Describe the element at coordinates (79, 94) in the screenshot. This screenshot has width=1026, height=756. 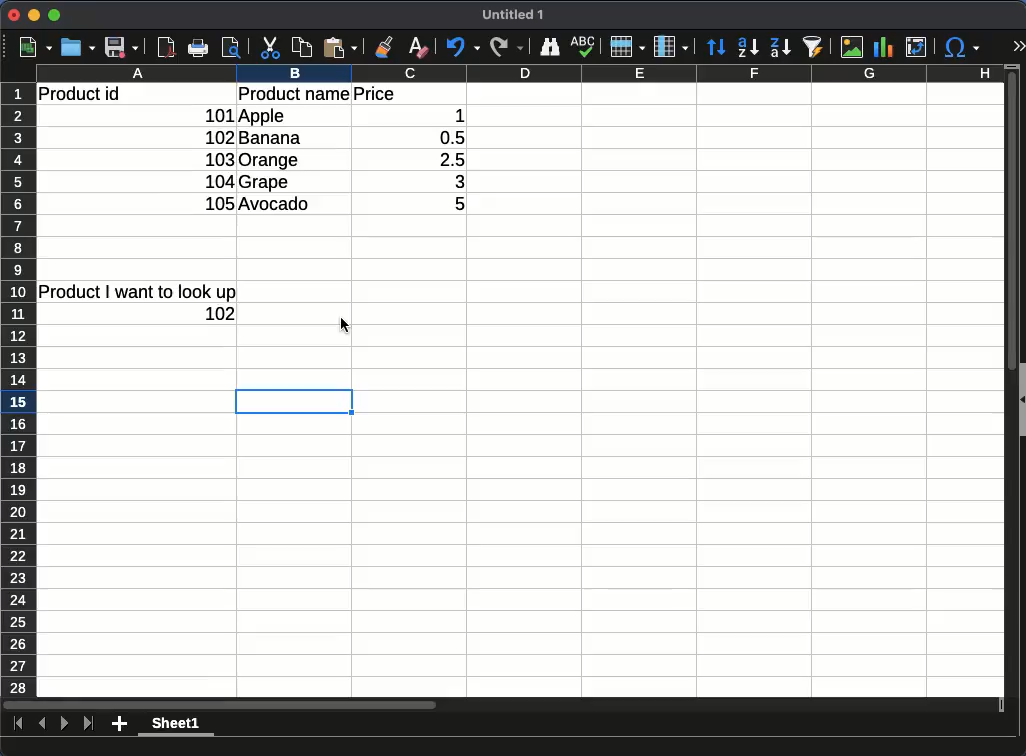
I see `product id` at that location.